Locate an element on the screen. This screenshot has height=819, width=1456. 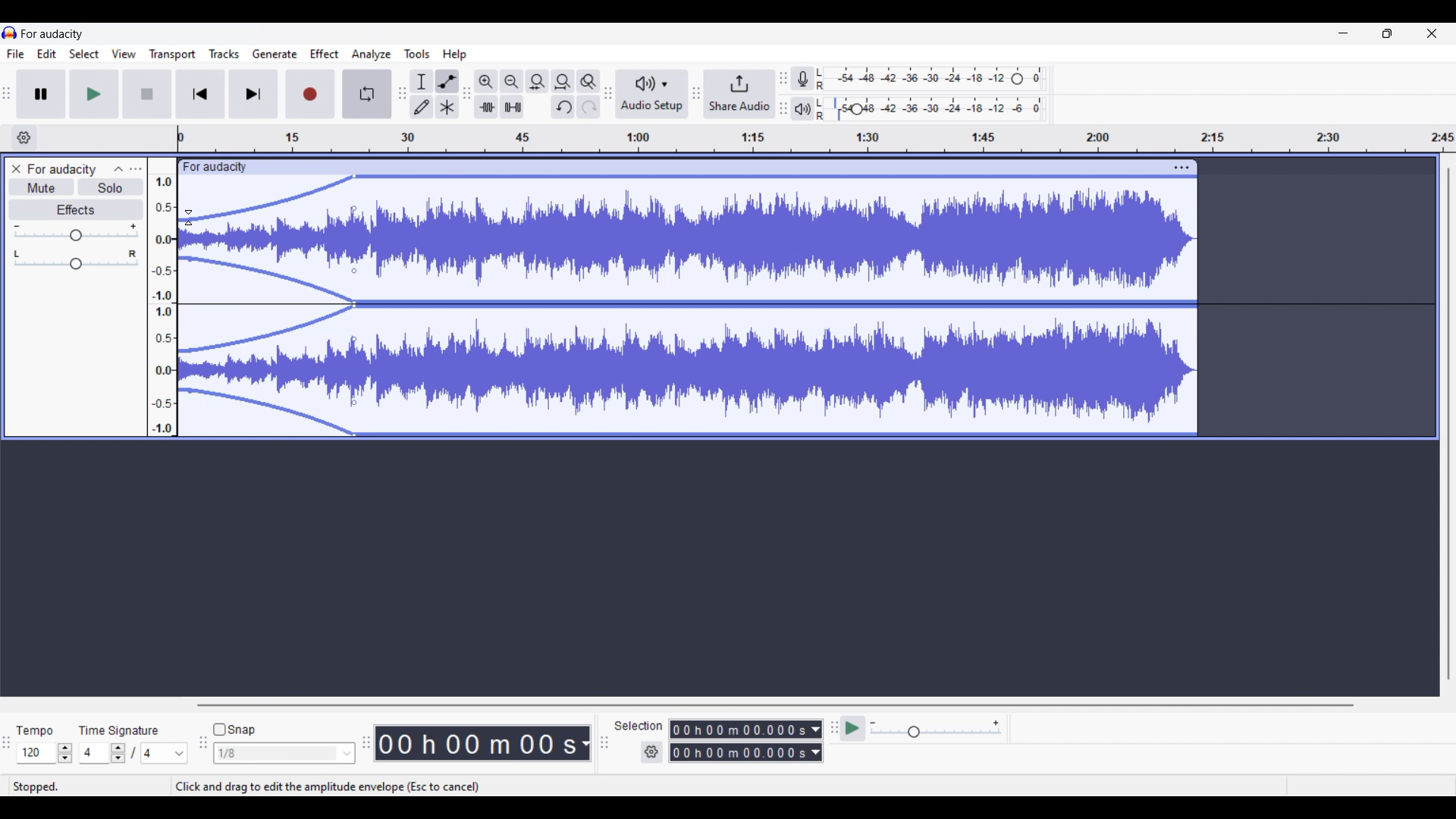
Fit selection to width is located at coordinates (538, 81).